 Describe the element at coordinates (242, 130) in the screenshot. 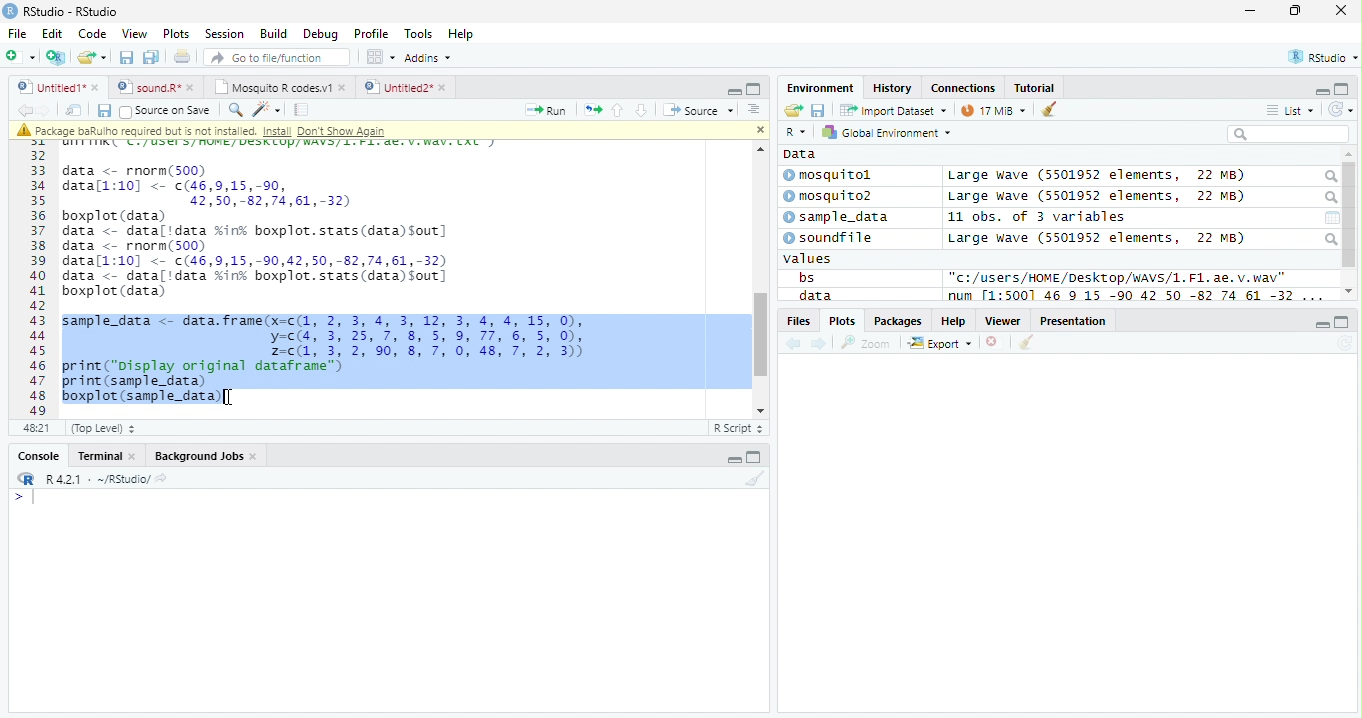

I see `A Package baRulho required but is not installed. Install Don't Show Again` at that location.